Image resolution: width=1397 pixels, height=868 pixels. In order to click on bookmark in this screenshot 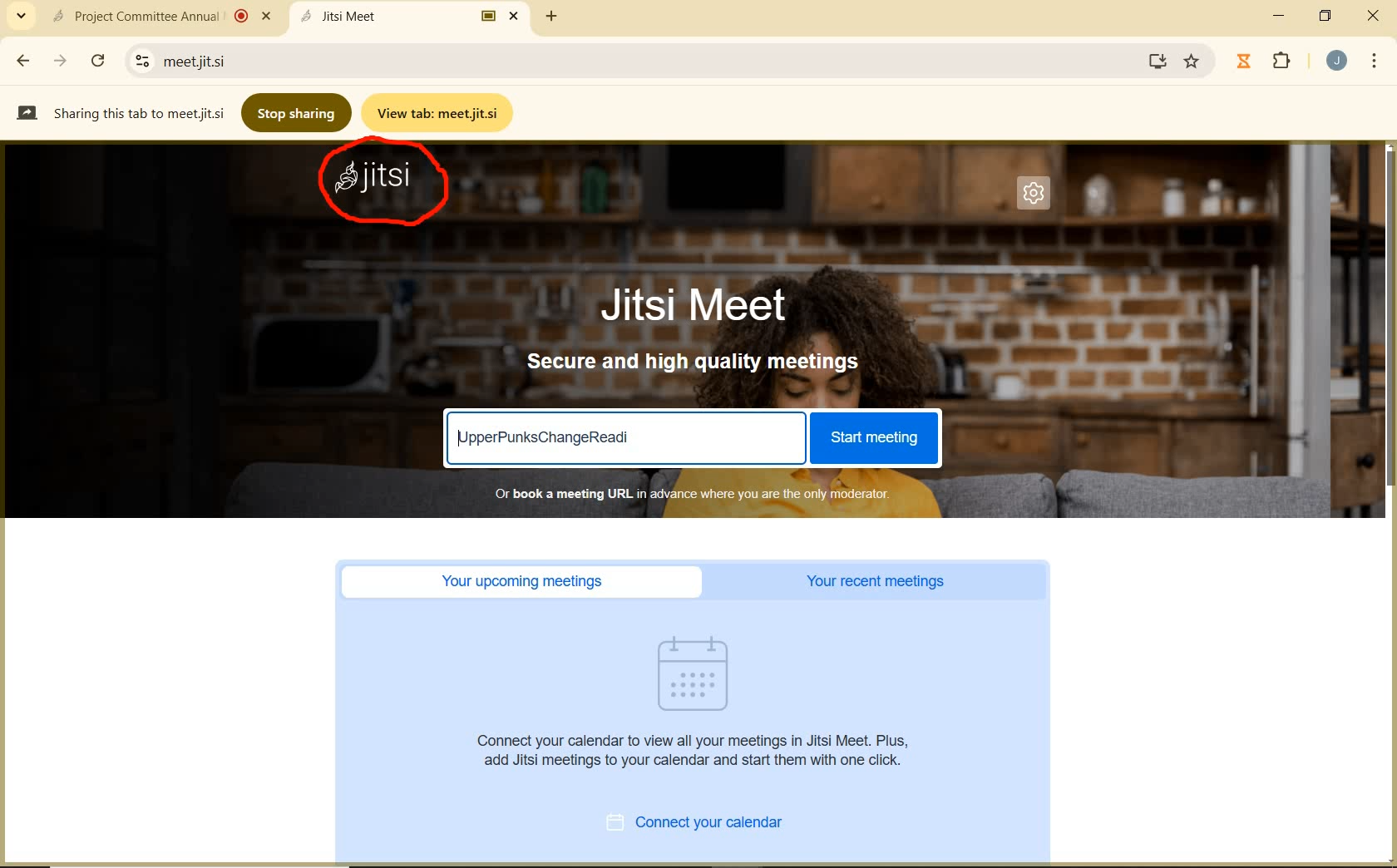, I will do `click(1193, 62)`.